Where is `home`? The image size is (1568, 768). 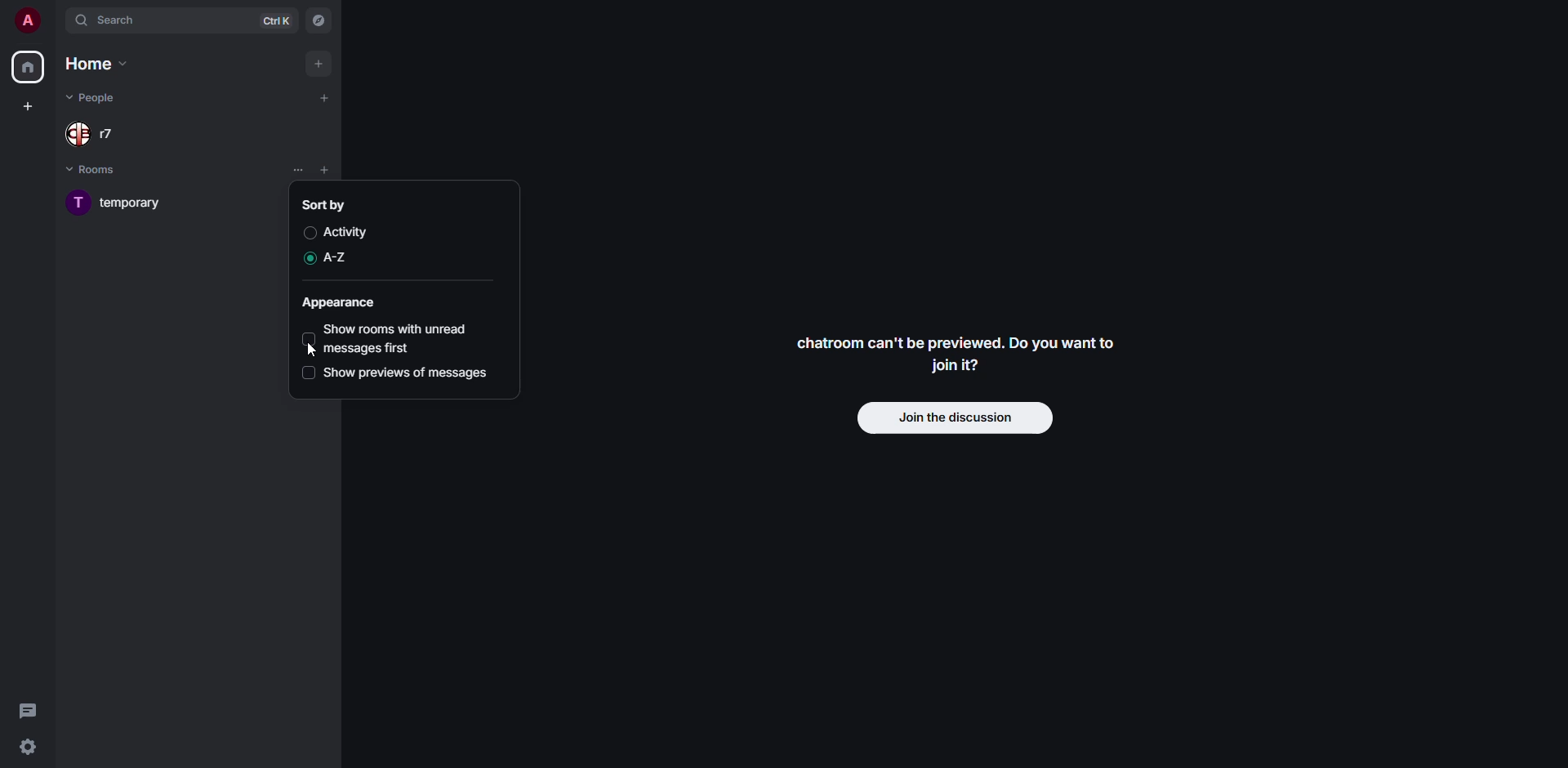 home is located at coordinates (96, 64).